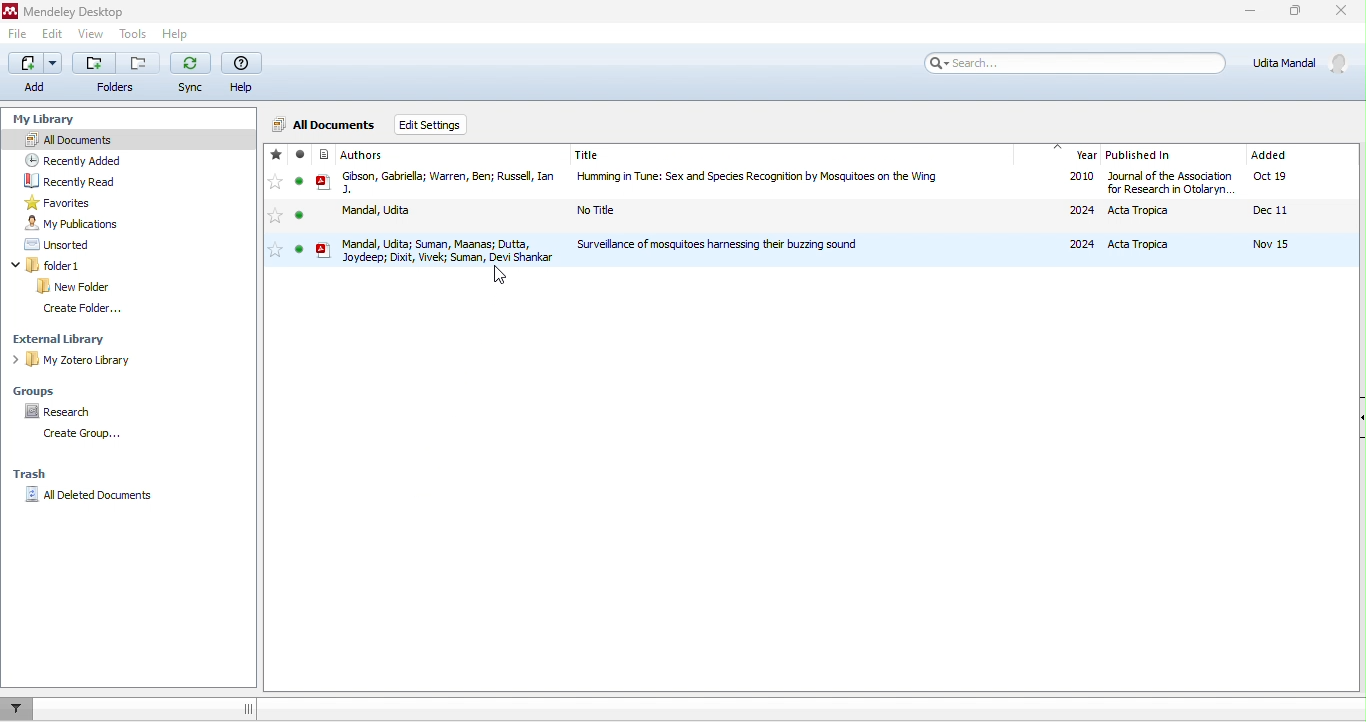  What do you see at coordinates (20, 35) in the screenshot?
I see `file` at bounding box center [20, 35].